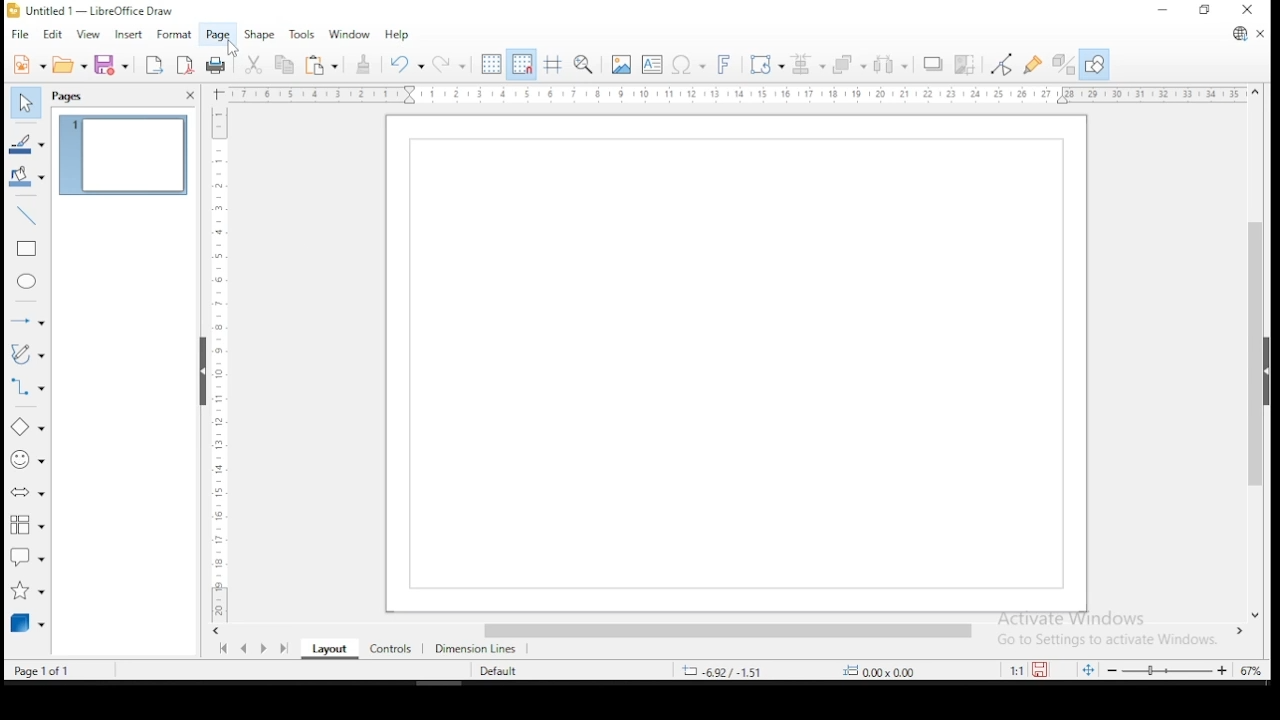 The image size is (1280, 720). What do you see at coordinates (186, 96) in the screenshot?
I see `close pane` at bounding box center [186, 96].